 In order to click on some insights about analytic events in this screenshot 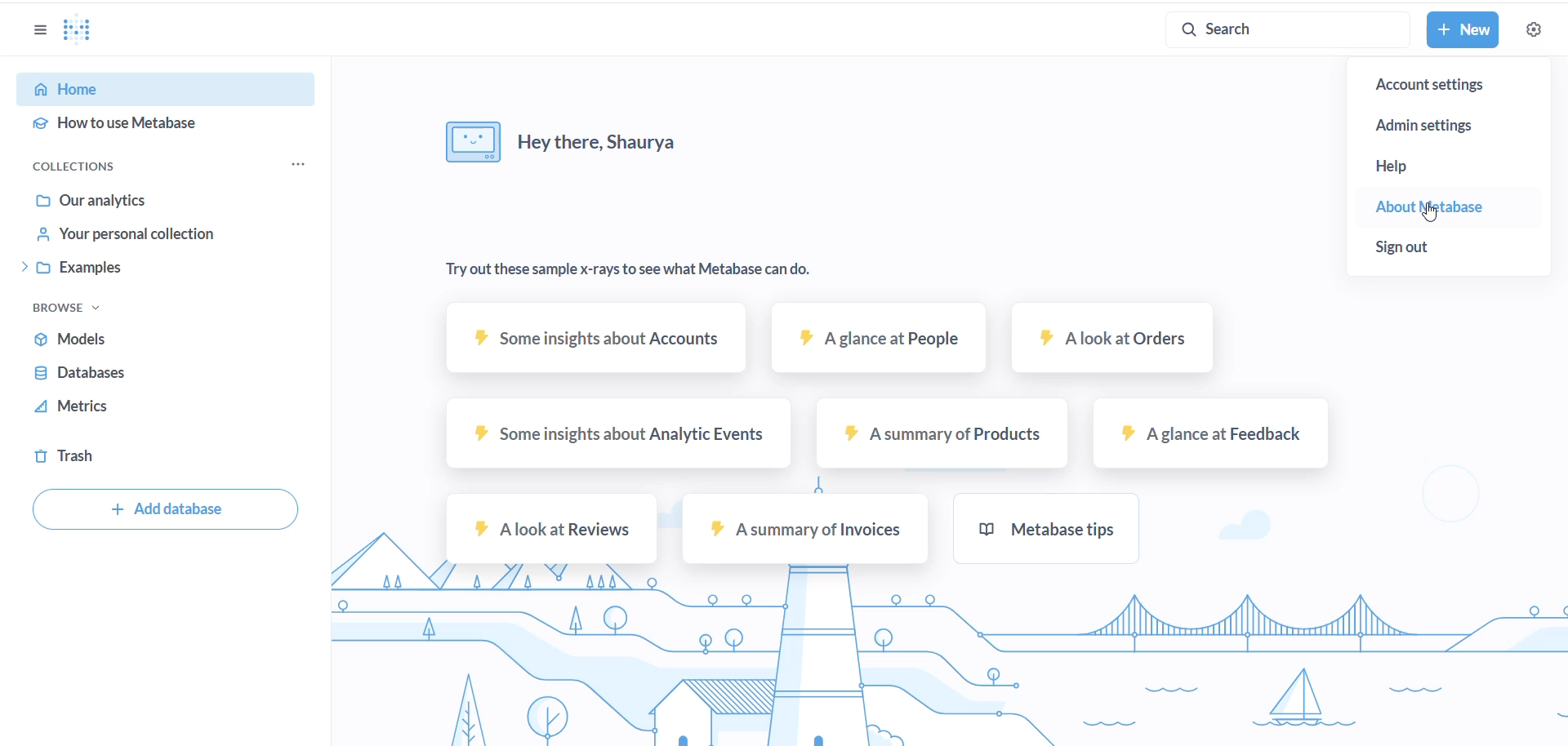, I will do `click(601, 433)`.